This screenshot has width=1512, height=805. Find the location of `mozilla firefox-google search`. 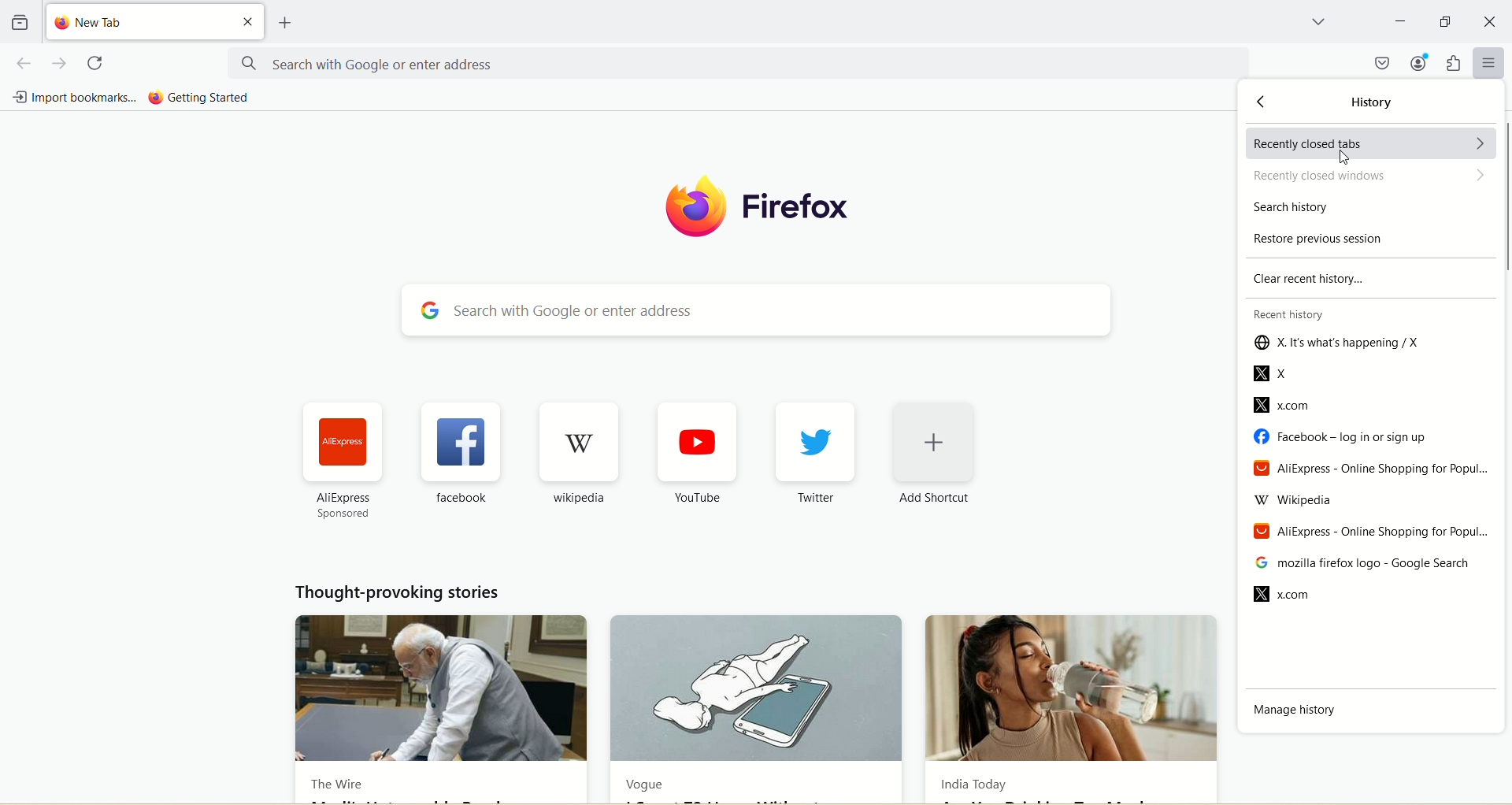

mozilla firefox-google search is located at coordinates (1372, 561).